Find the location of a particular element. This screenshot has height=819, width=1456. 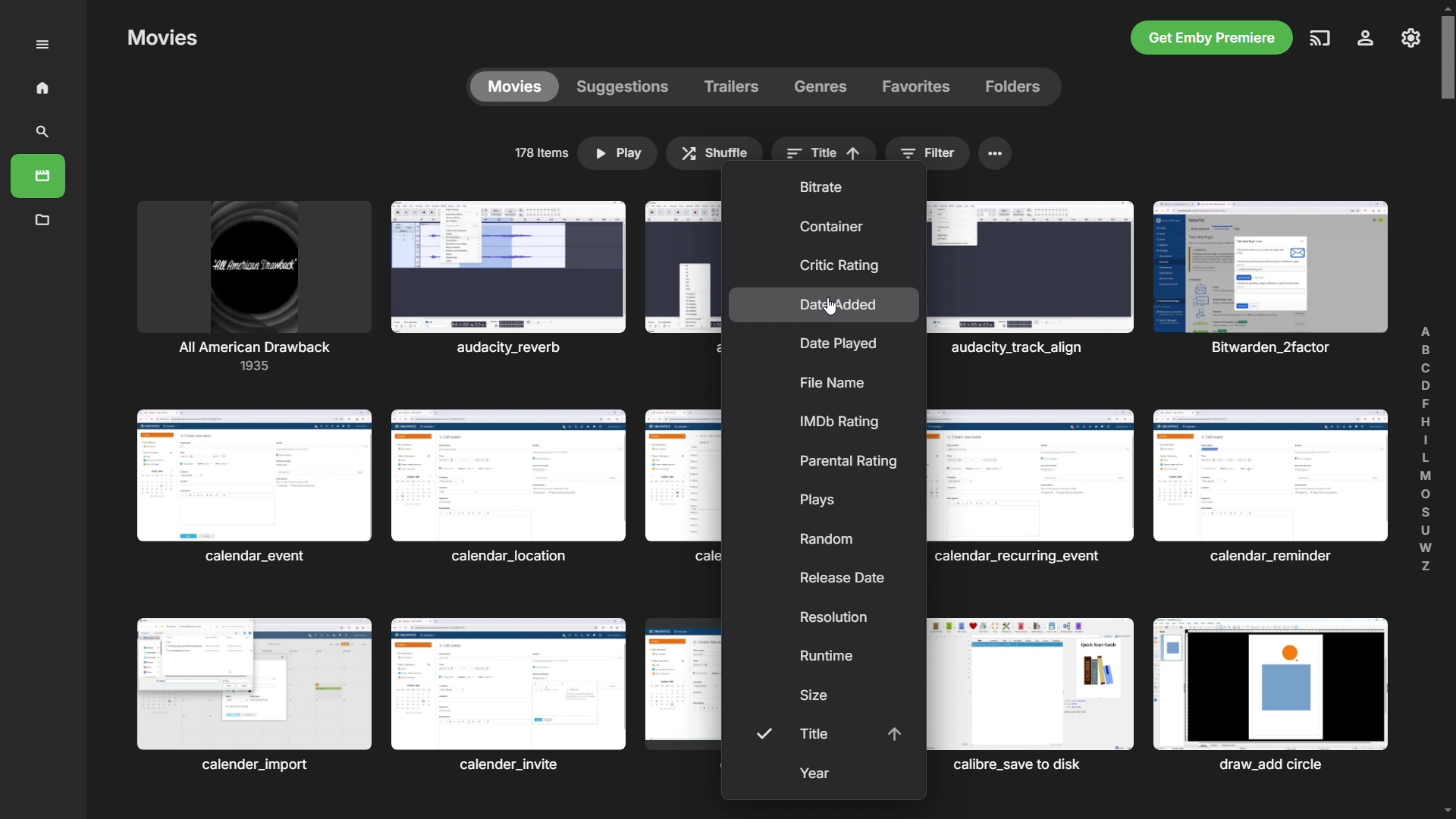

shuffle is located at coordinates (714, 148).